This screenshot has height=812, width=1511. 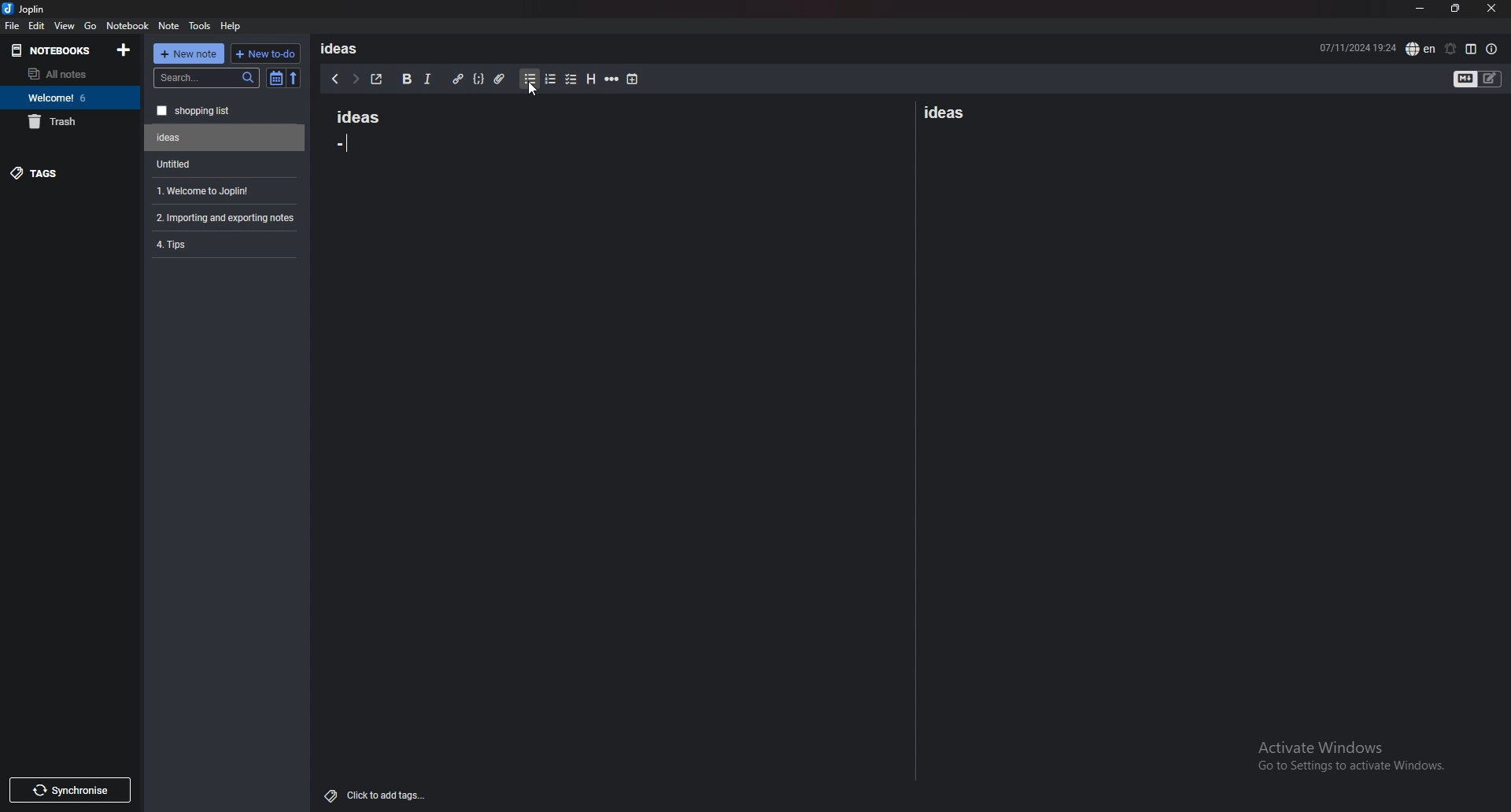 I want to click on add notebooks, so click(x=124, y=49).